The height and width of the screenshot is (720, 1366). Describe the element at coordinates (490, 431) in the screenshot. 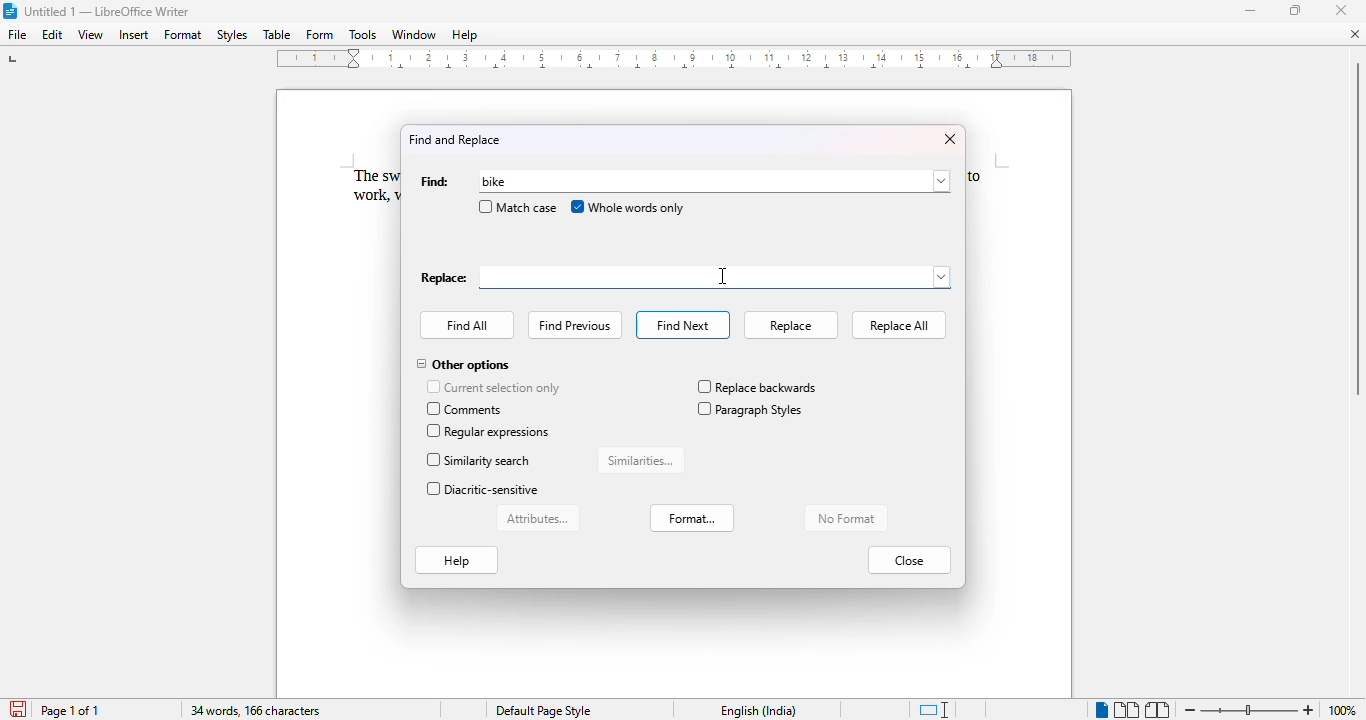

I see `regular expressions` at that location.